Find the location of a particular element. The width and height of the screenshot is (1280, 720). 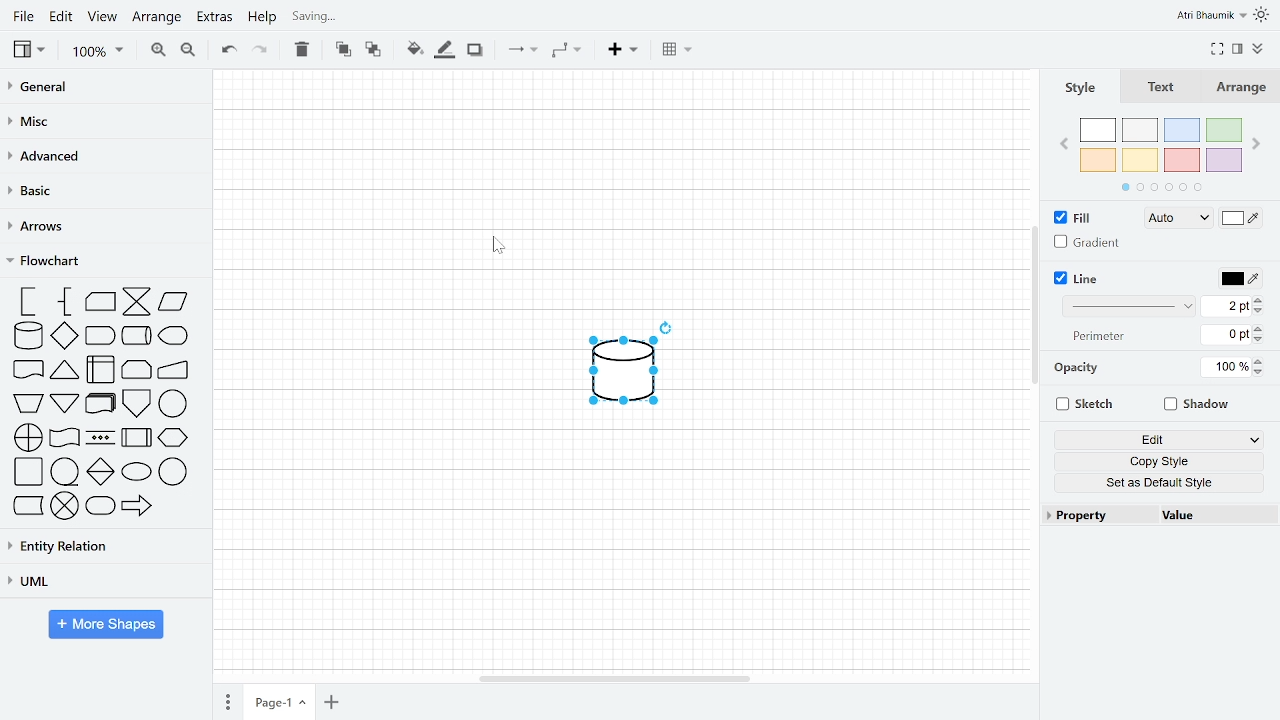

data is located at coordinates (173, 304).